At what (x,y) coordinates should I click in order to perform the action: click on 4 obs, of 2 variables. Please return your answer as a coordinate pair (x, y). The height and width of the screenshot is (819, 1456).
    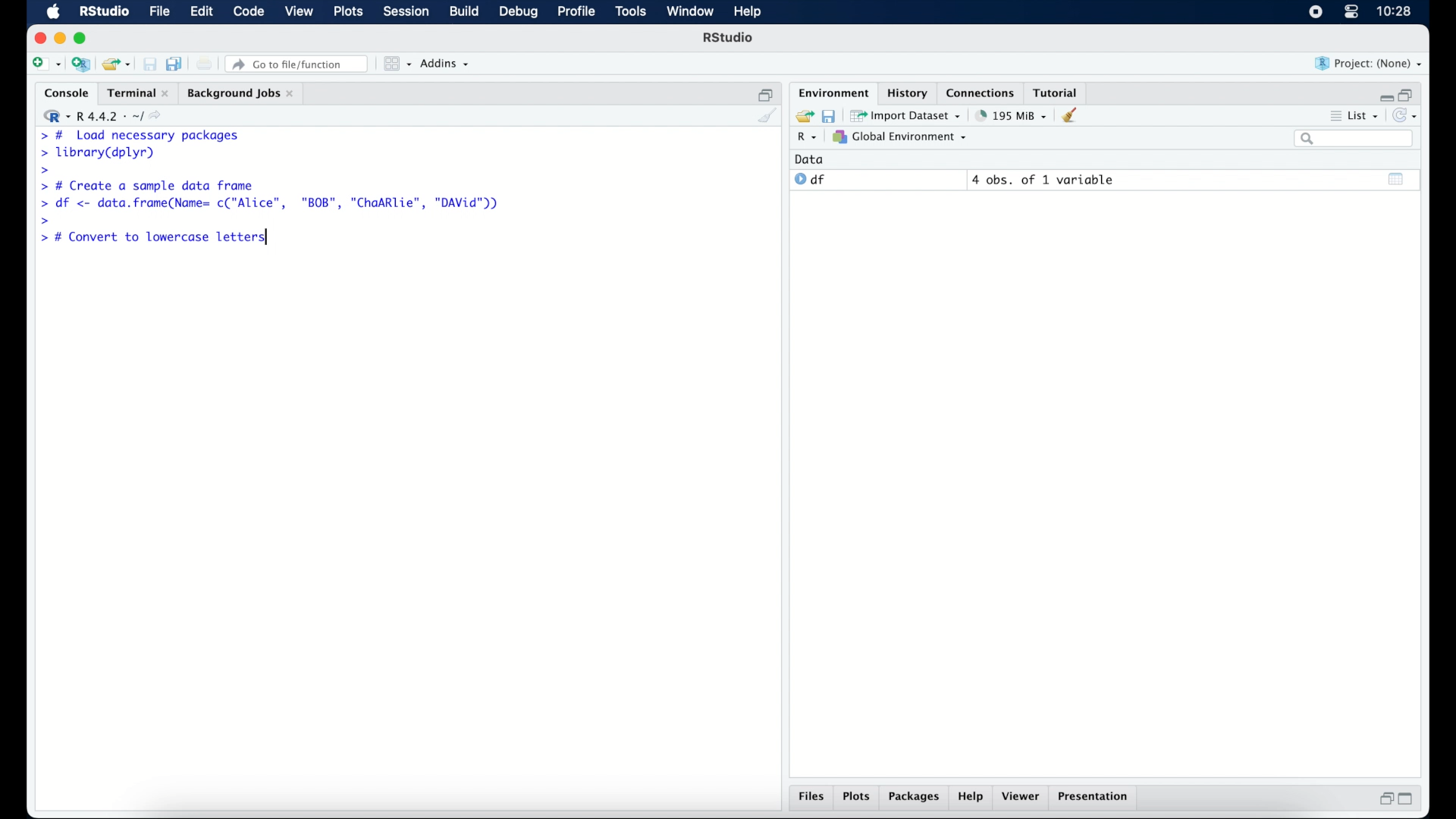
    Looking at the image, I should click on (1046, 180).